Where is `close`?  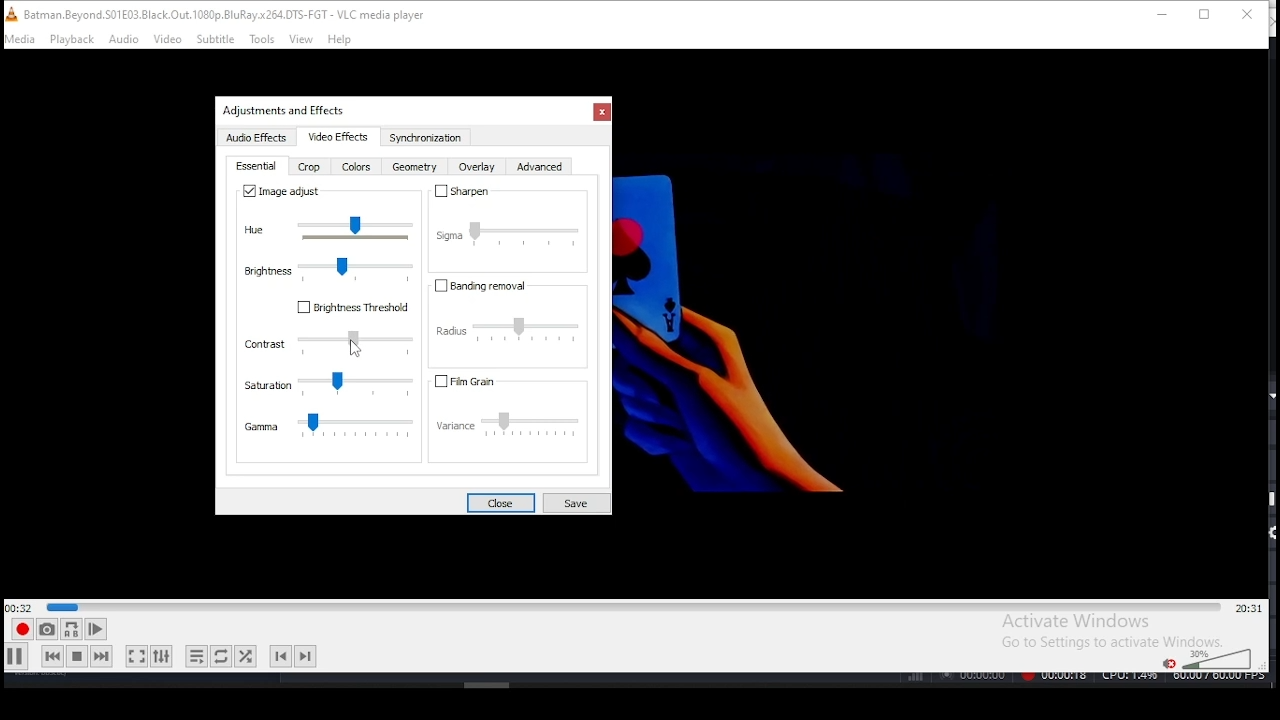 close is located at coordinates (499, 501).